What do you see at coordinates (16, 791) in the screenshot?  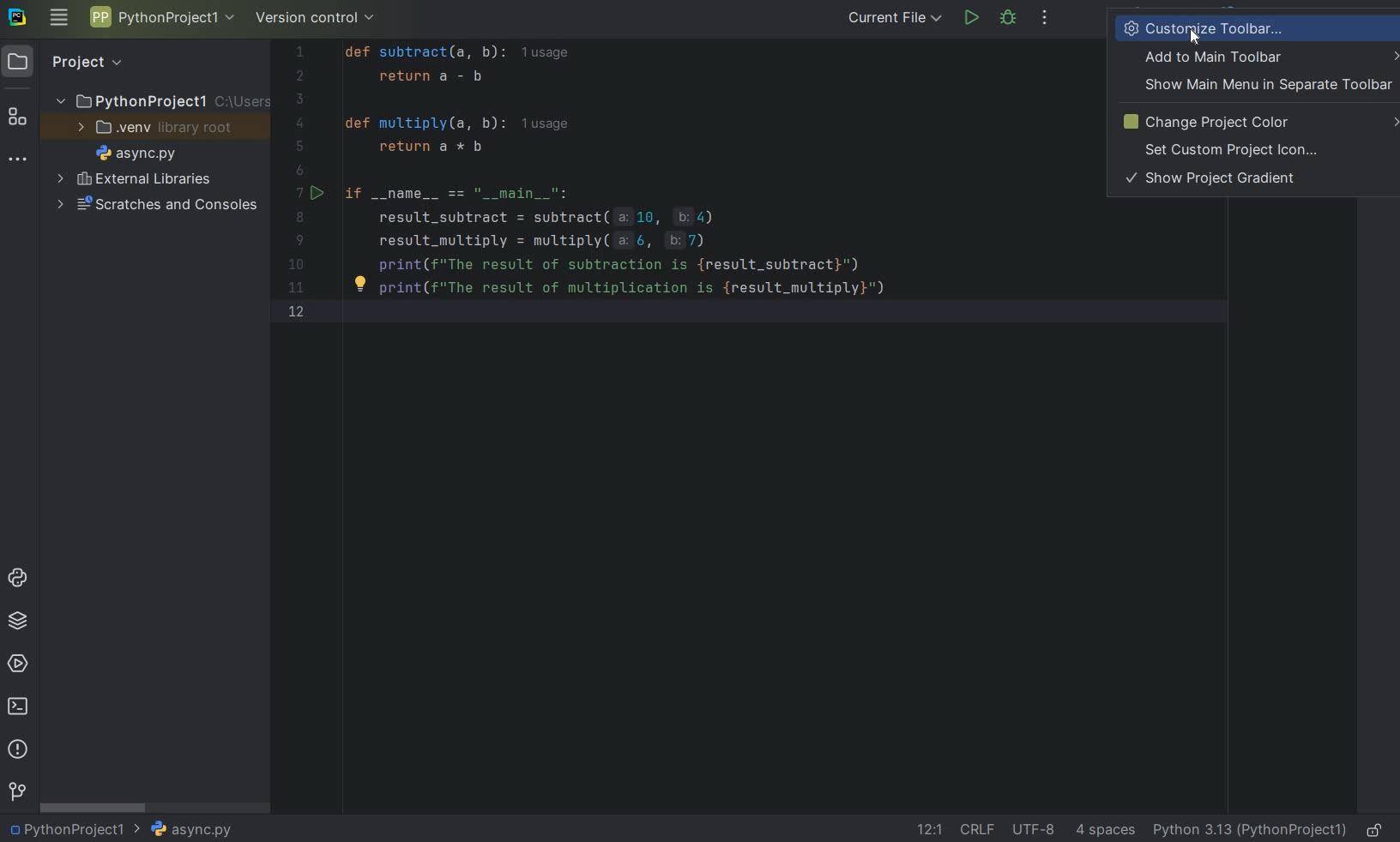 I see `VERSION CONTROL` at bounding box center [16, 791].